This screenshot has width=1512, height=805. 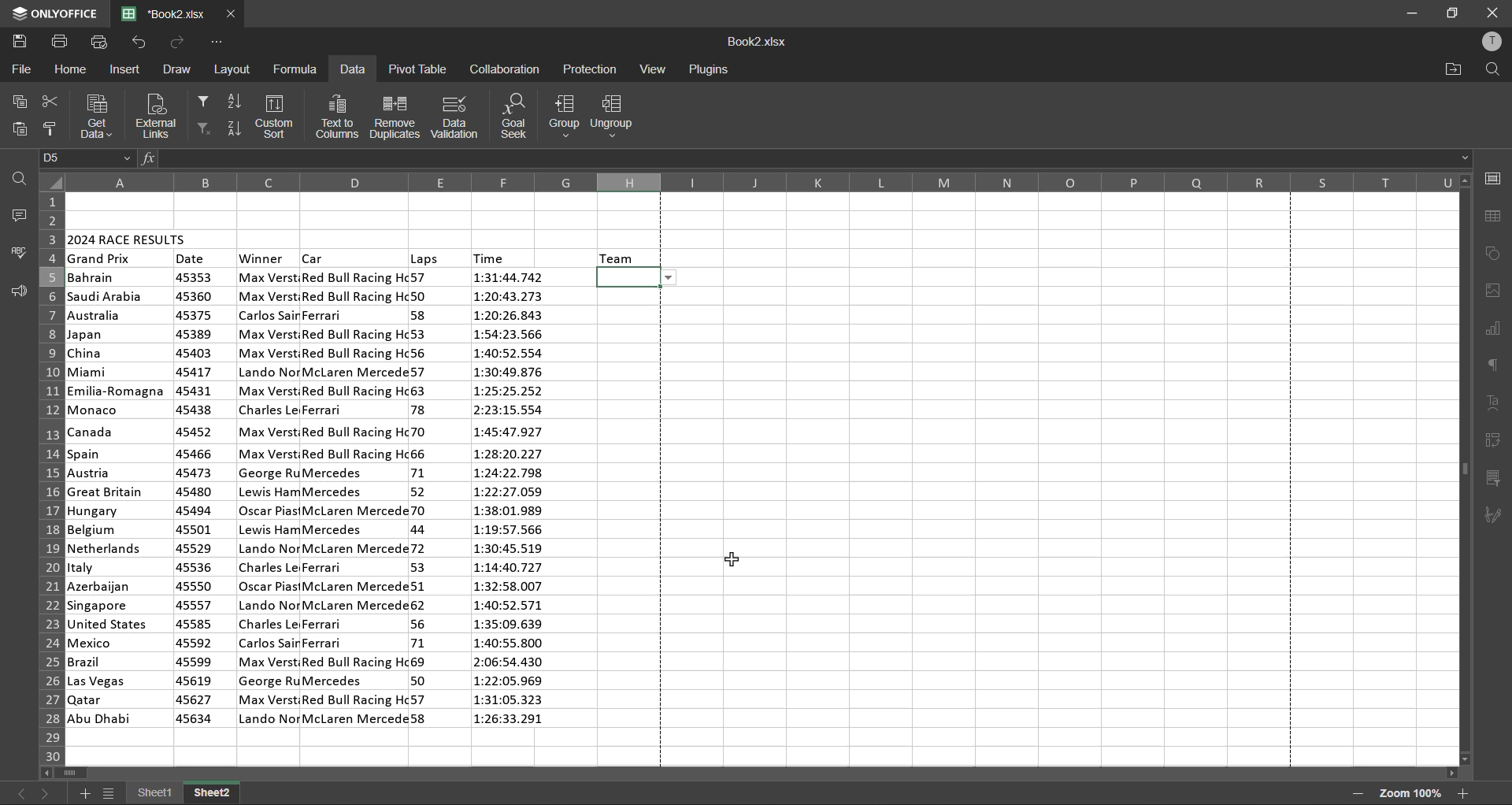 I want to click on file, so click(x=19, y=69).